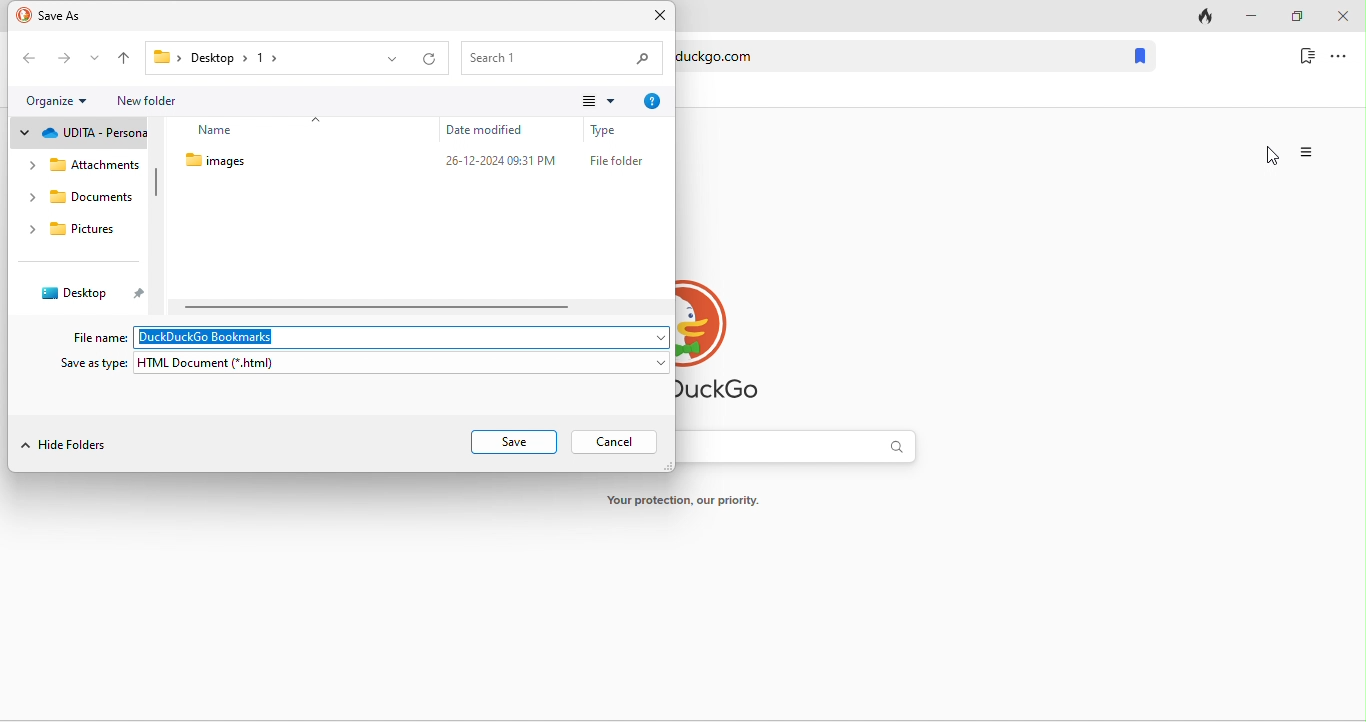 The height and width of the screenshot is (722, 1366). What do you see at coordinates (60, 61) in the screenshot?
I see `forward` at bounding box center [60, 61].